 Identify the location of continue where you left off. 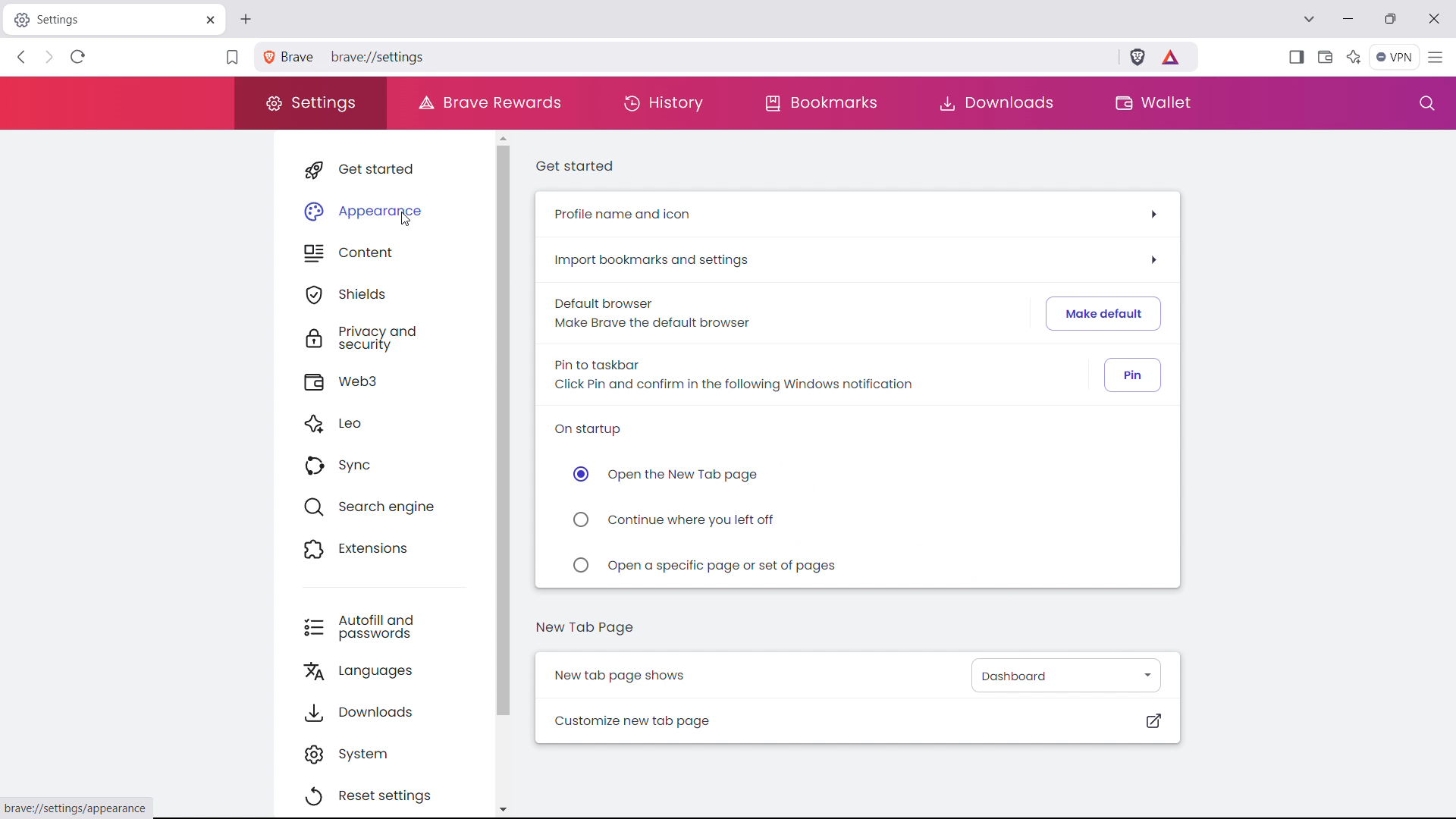
(673, 518).